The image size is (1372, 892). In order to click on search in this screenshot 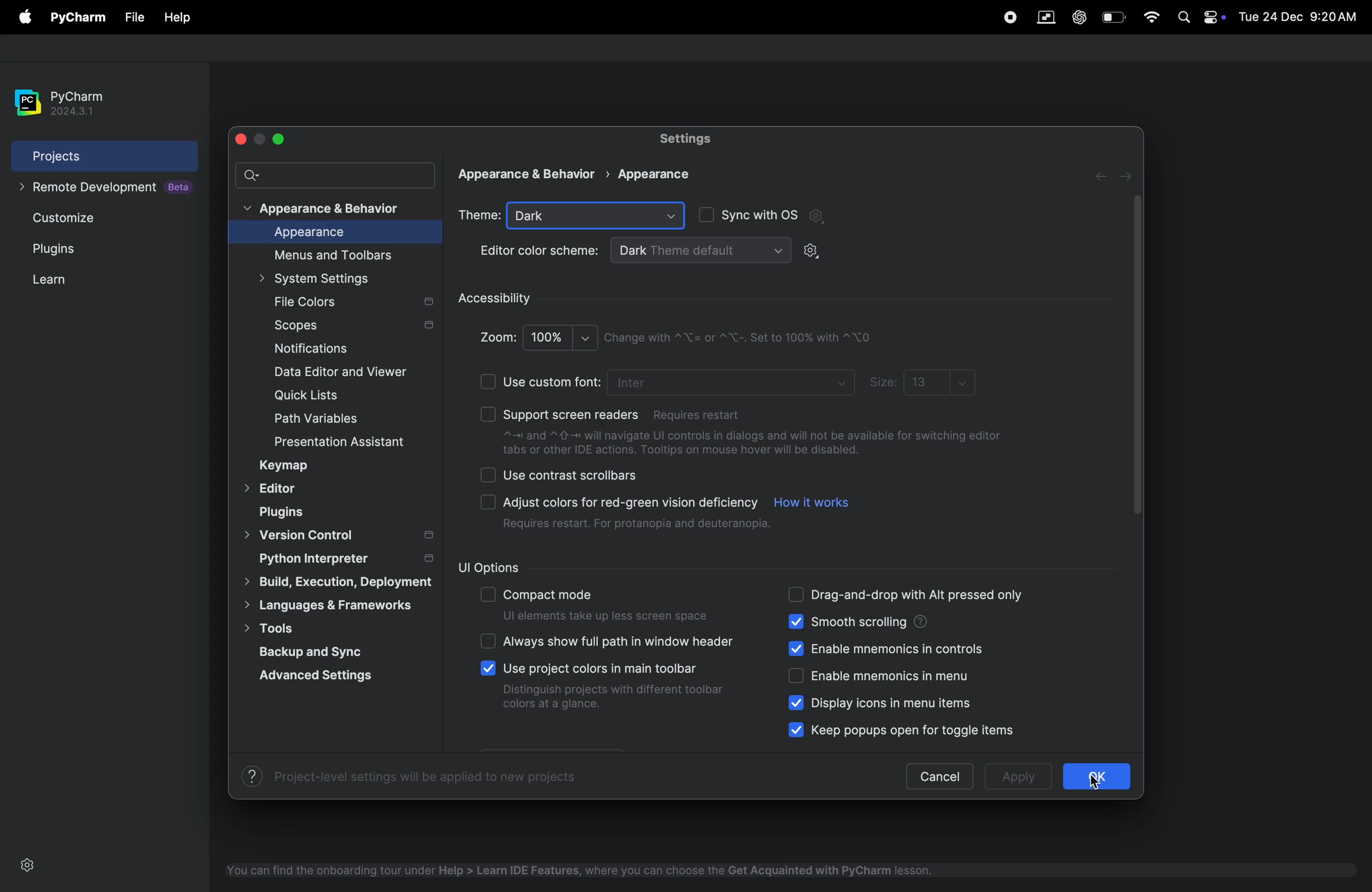, I will do `click(336, 174)`.